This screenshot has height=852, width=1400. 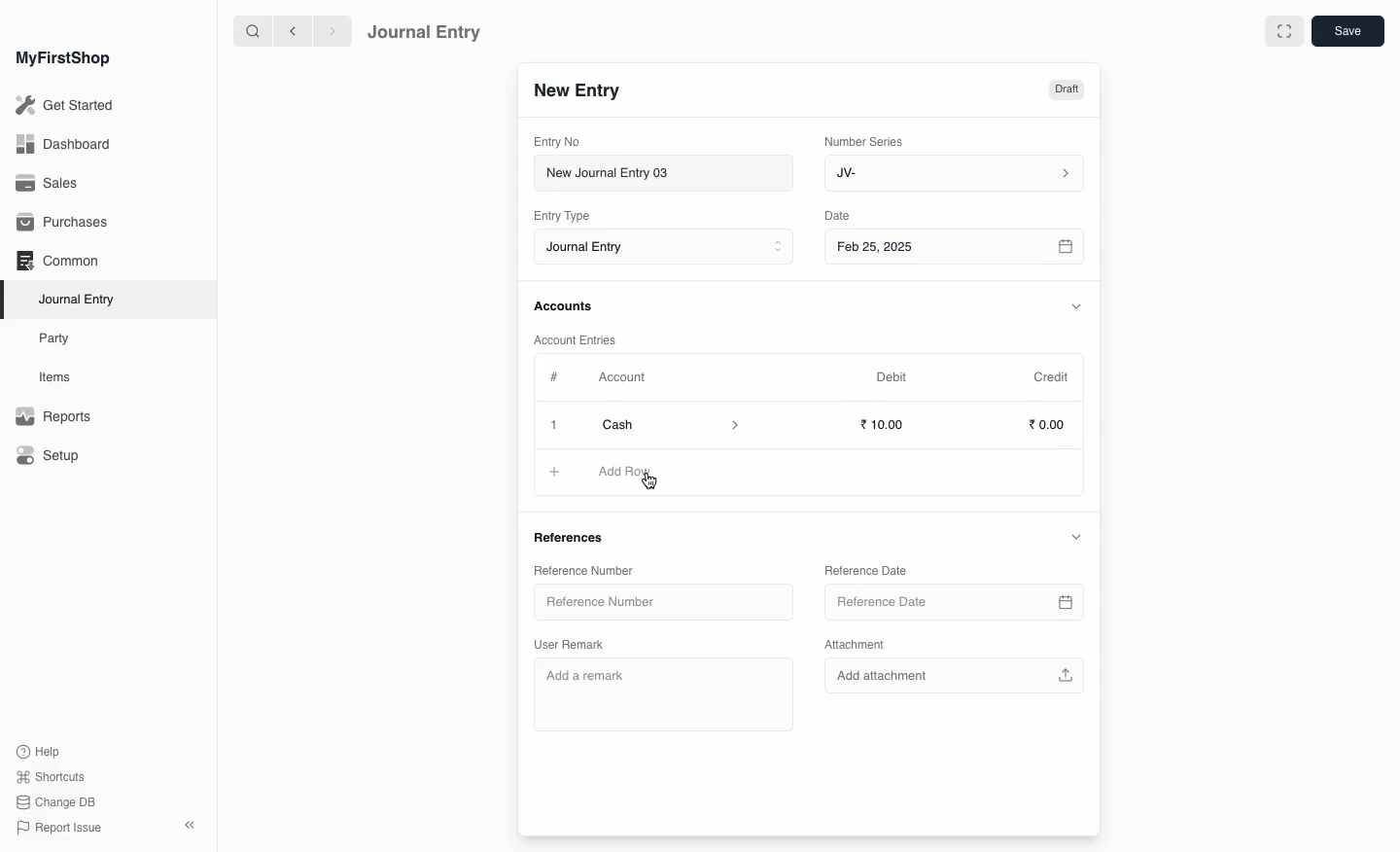 I want to click on Change DB, so click(x=56, y=803).